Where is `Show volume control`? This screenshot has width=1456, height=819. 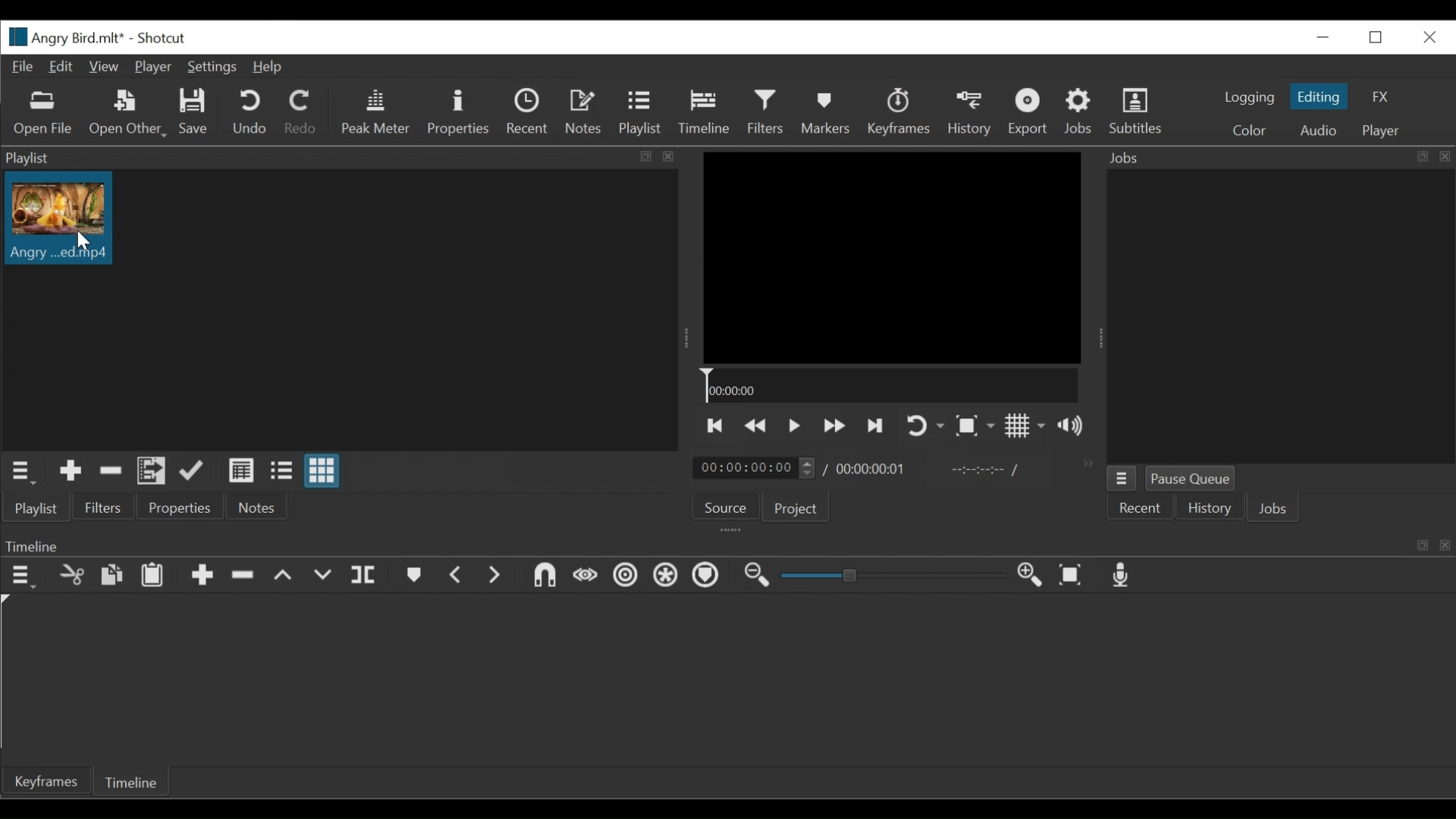 Show volume control is located at coordinates (1075, 427).